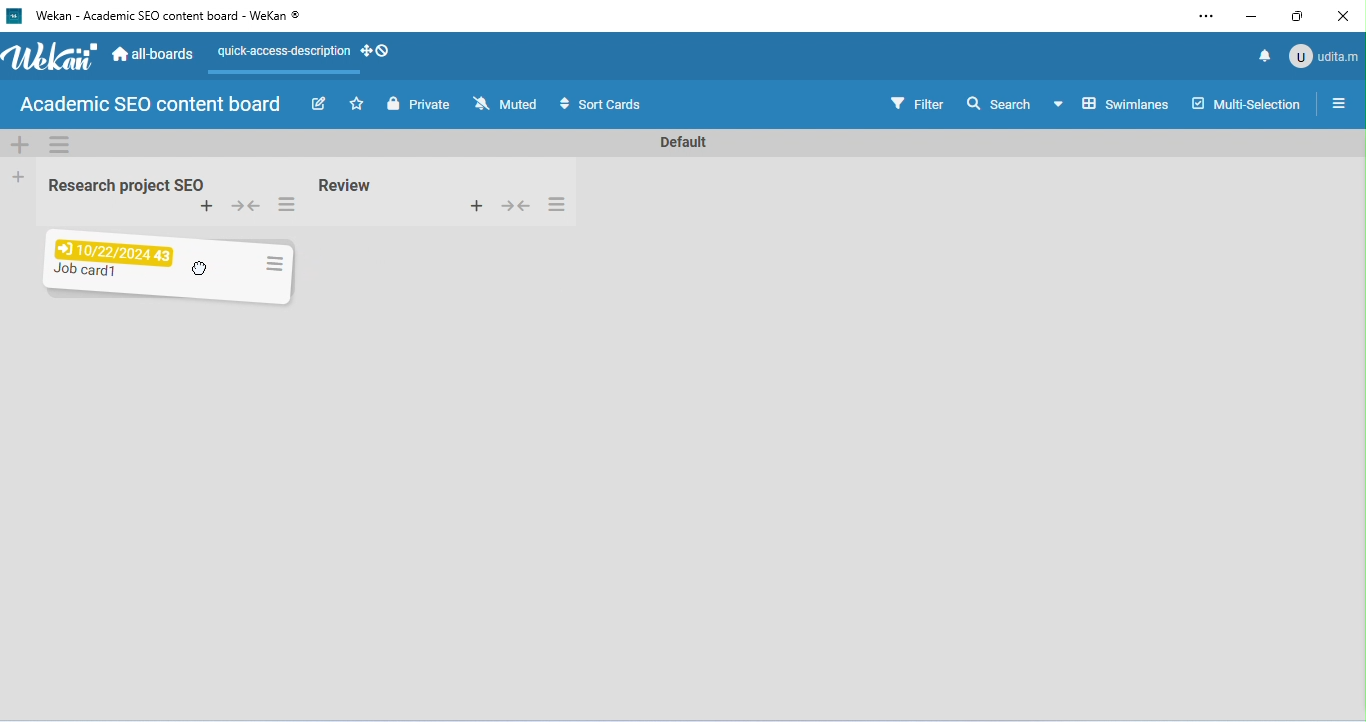 This screenshot has width=1366, height=722. I want to click on maximize, so click(1299, 16).